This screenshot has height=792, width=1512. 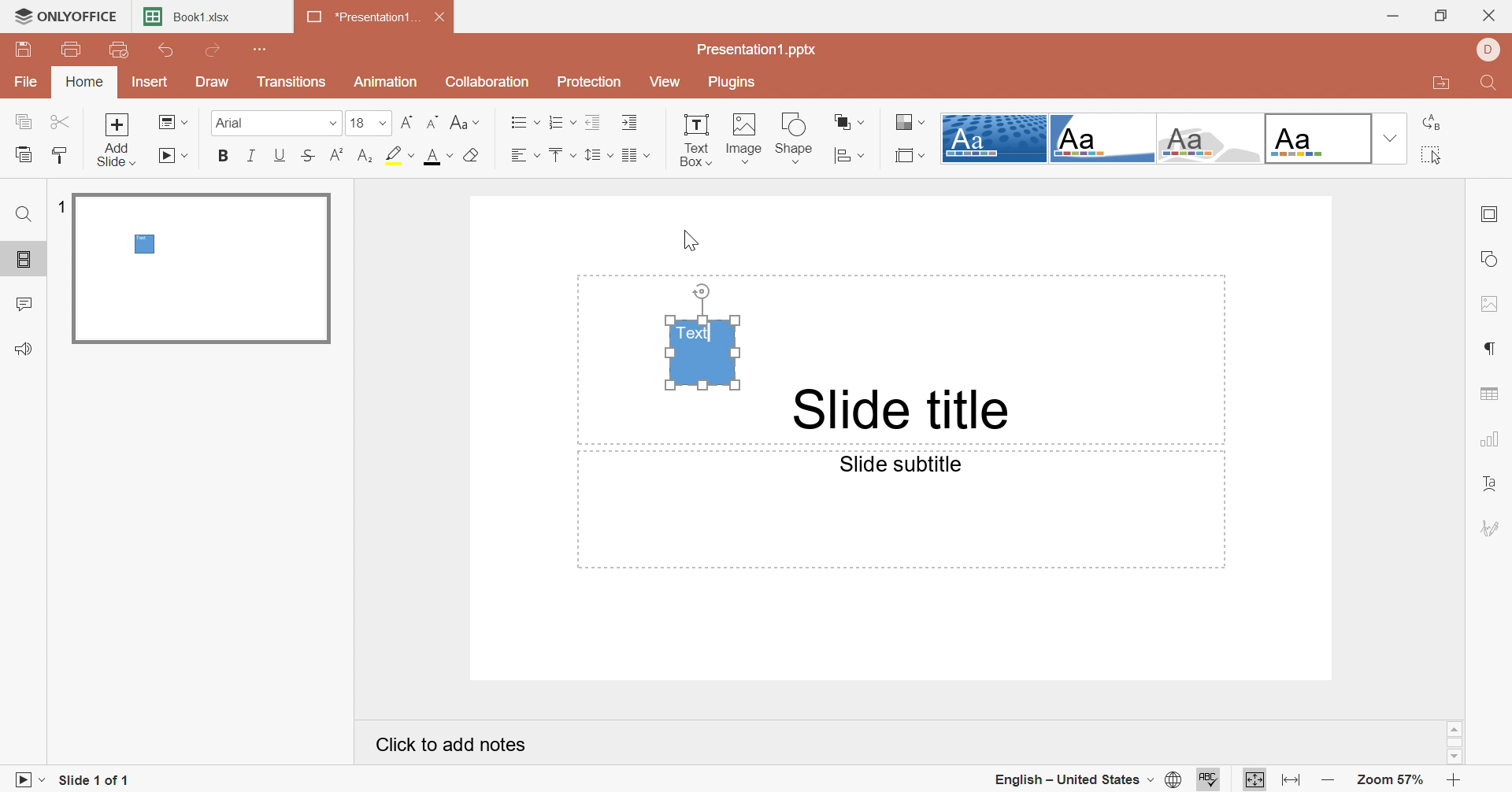 I want to click on Open file location, so click(x=1436, y=85).